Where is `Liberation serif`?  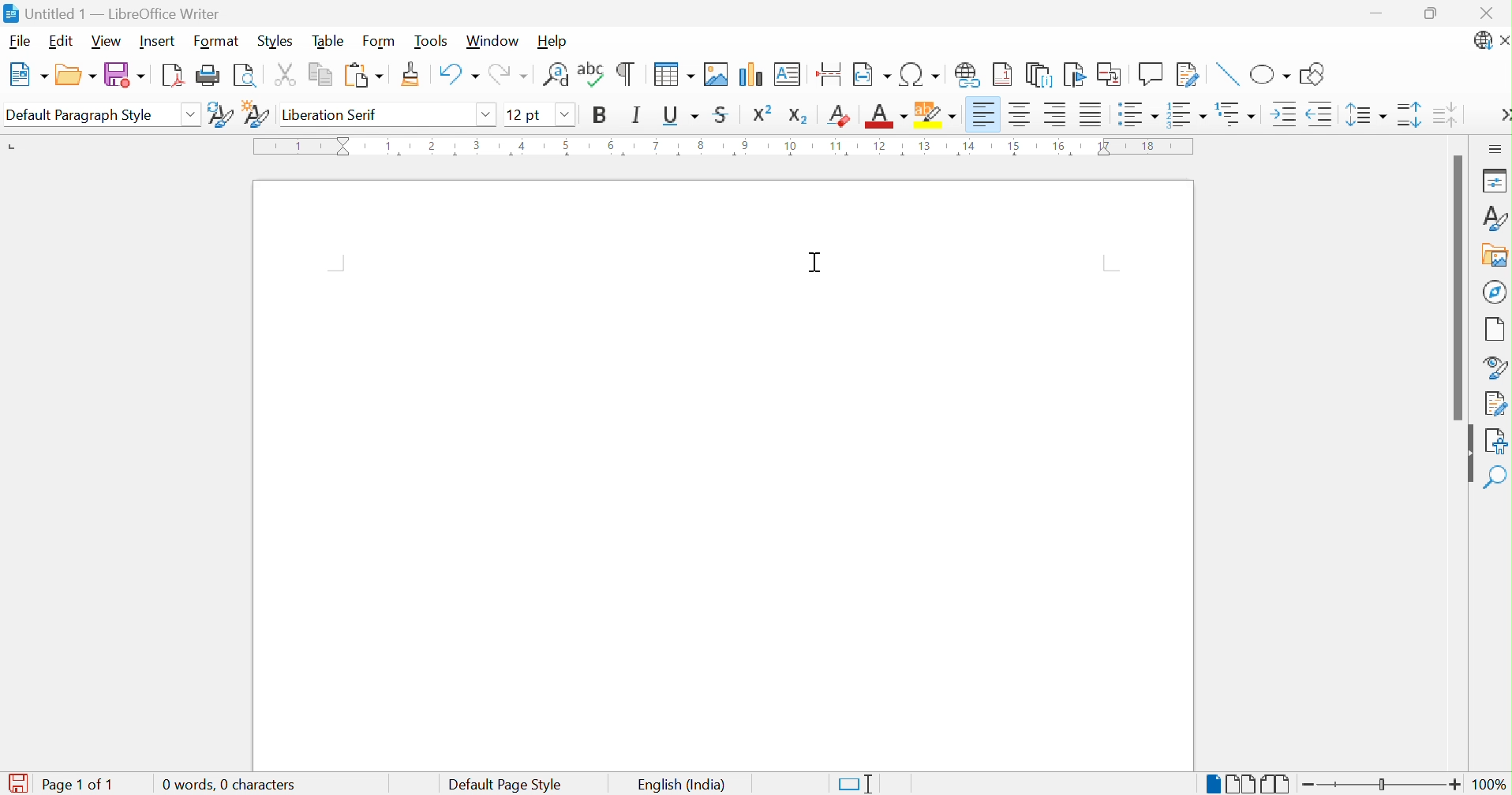
Liberation serif is located at coordinates (331, 114).